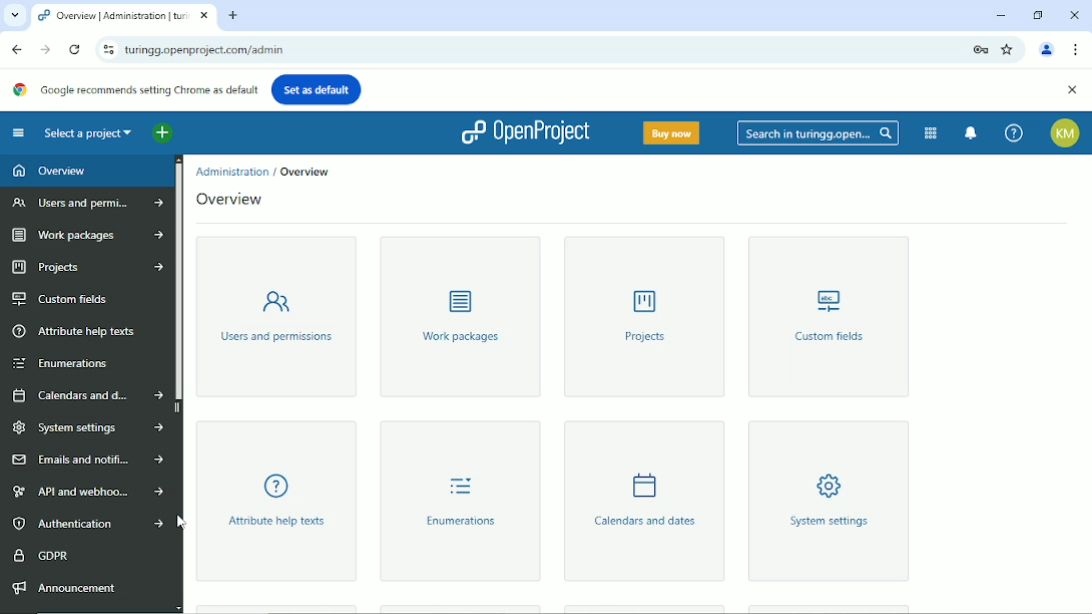  Describe the element at coordinates (455, 502) in the screenshot. I see `Enumerations` at that location.